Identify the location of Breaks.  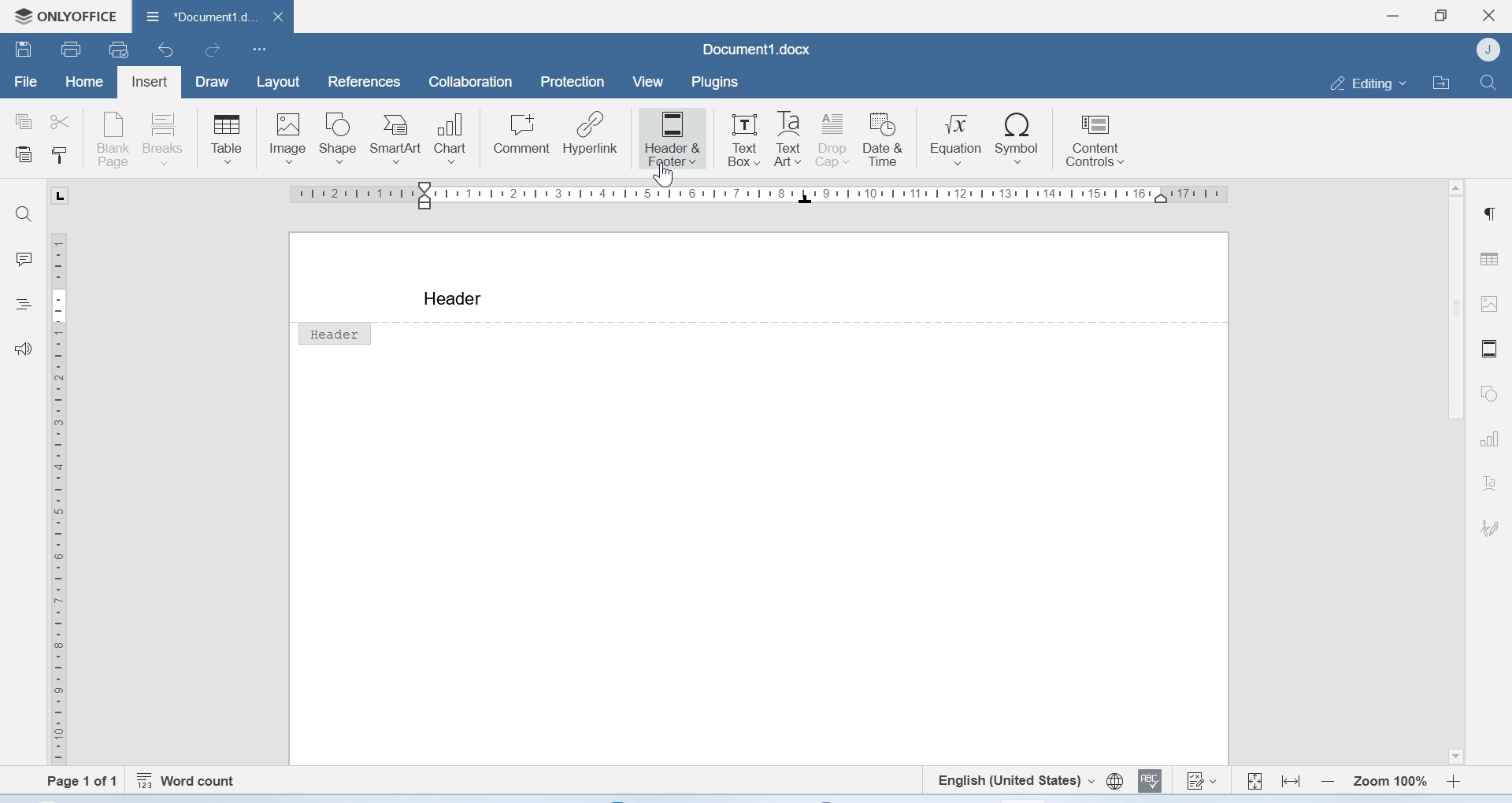
(168, 138).